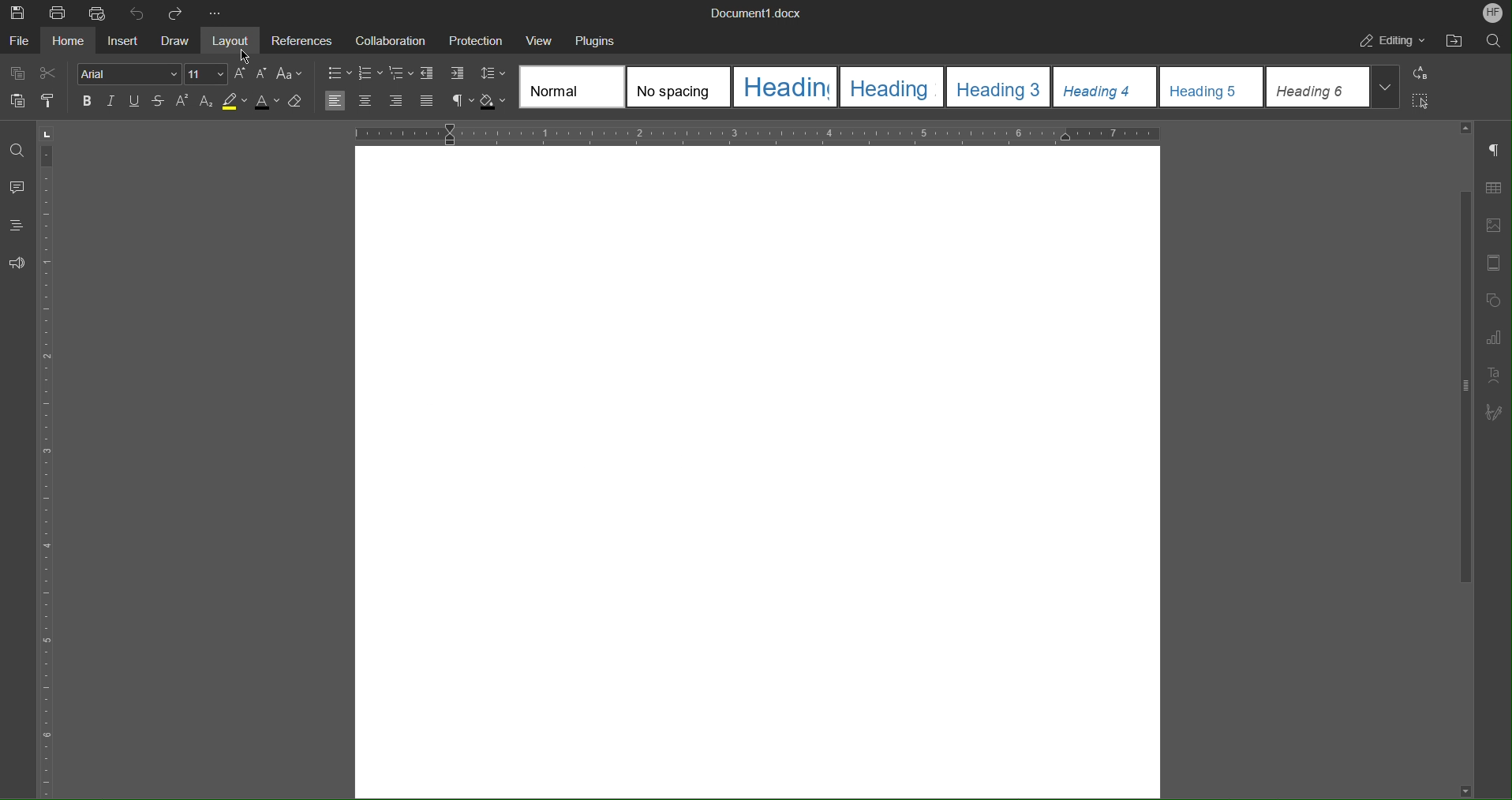 The image size is (1512, 800). What do you see at coordinates (495, 102) in the screenshot?
I see `Shadow` at bounding box center [495, 102].